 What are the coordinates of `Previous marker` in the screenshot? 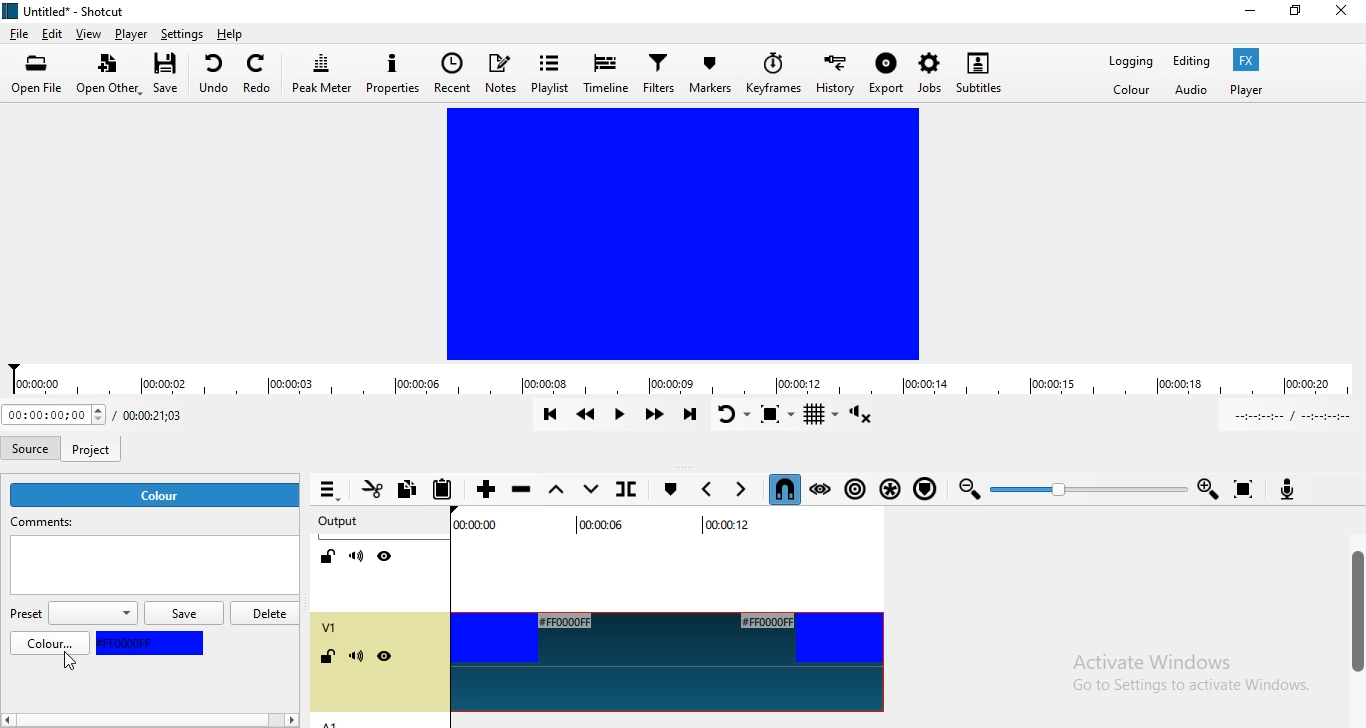 It's located at (710, 485).